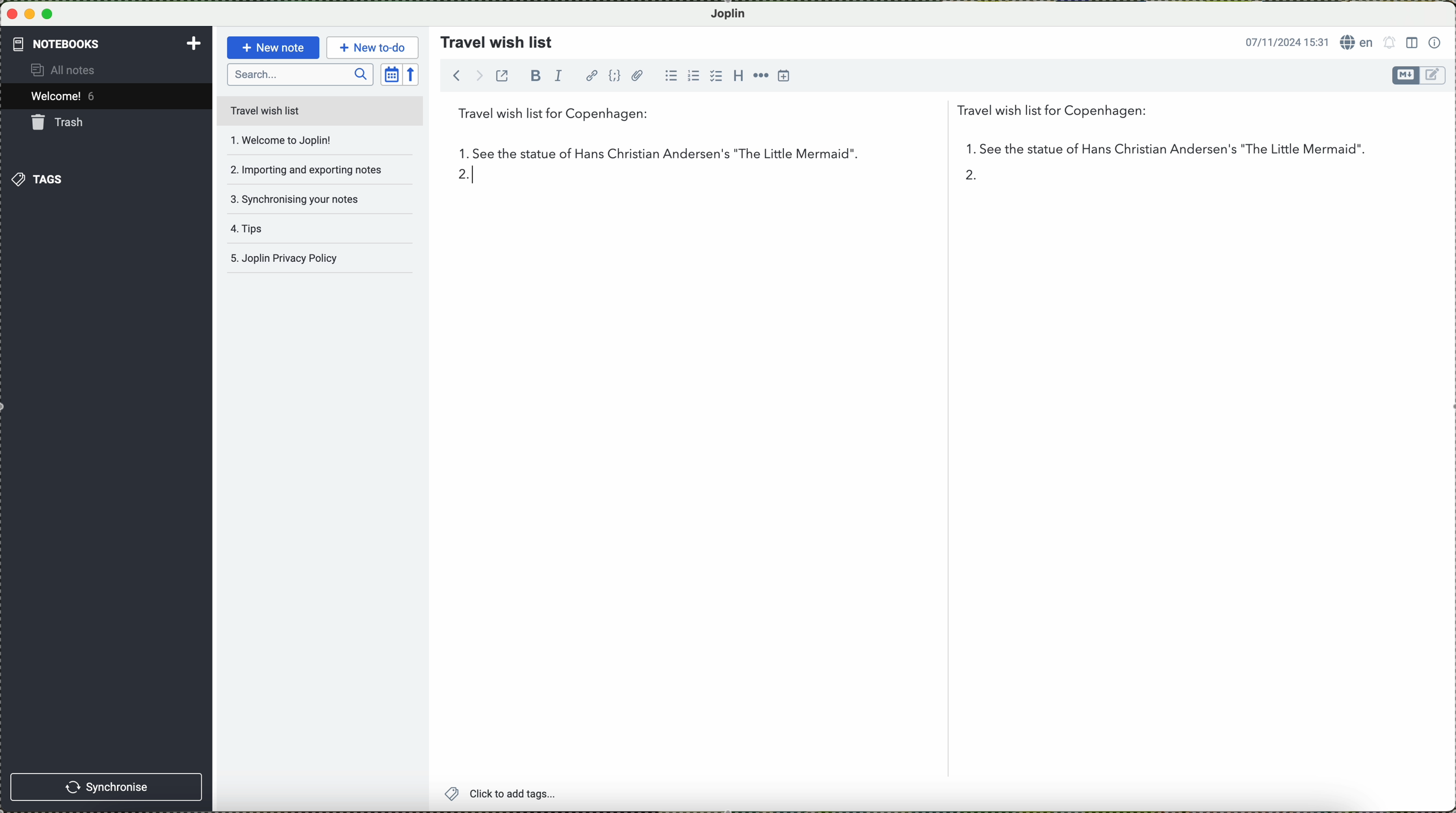  I want to click on heading, so click(736, 75).